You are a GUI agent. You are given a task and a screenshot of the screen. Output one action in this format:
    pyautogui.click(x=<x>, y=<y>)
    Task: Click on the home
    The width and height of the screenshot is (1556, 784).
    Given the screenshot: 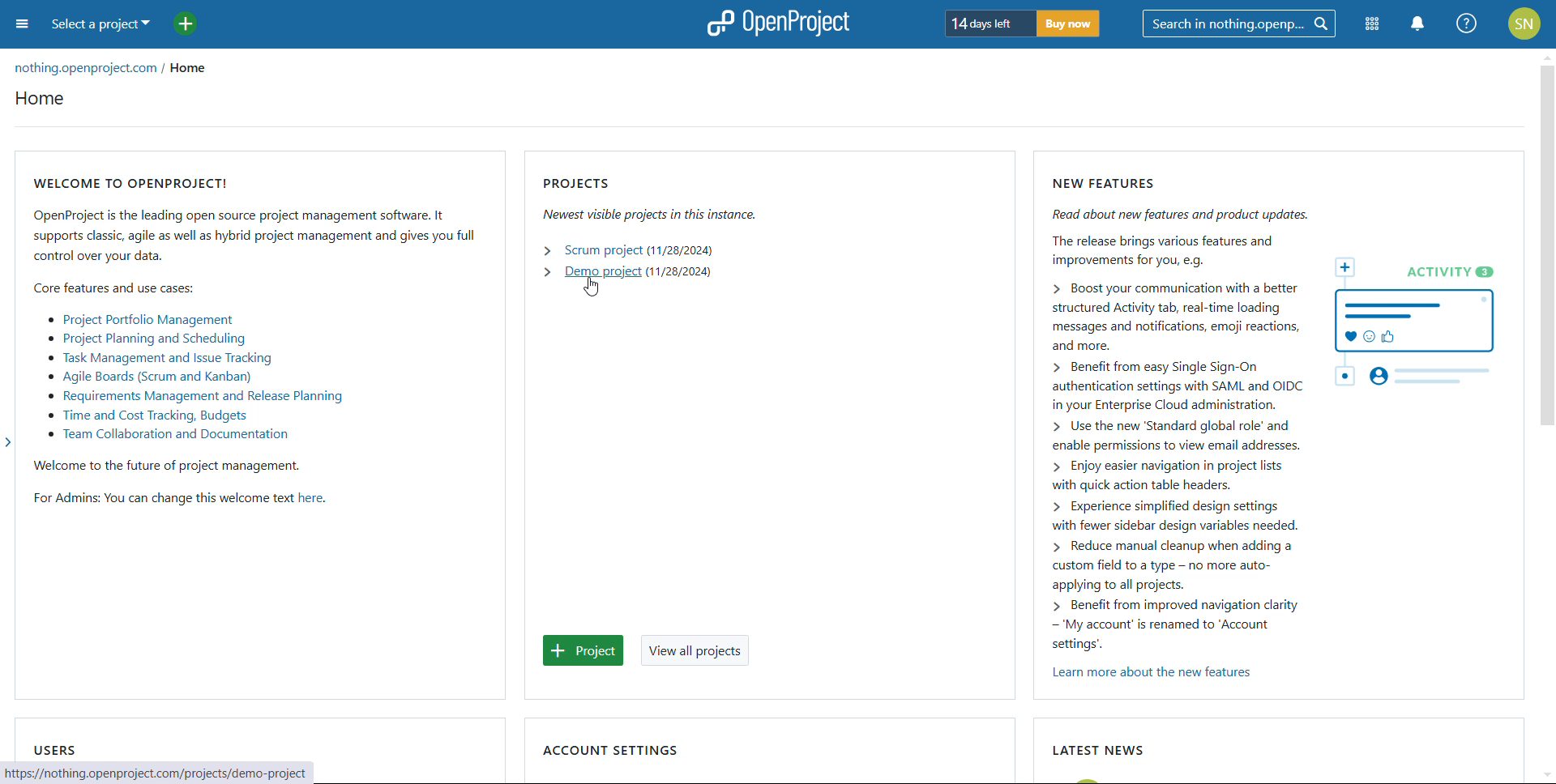 What is the action you would take?
    pyautogui.click(x=191, y=65)
    